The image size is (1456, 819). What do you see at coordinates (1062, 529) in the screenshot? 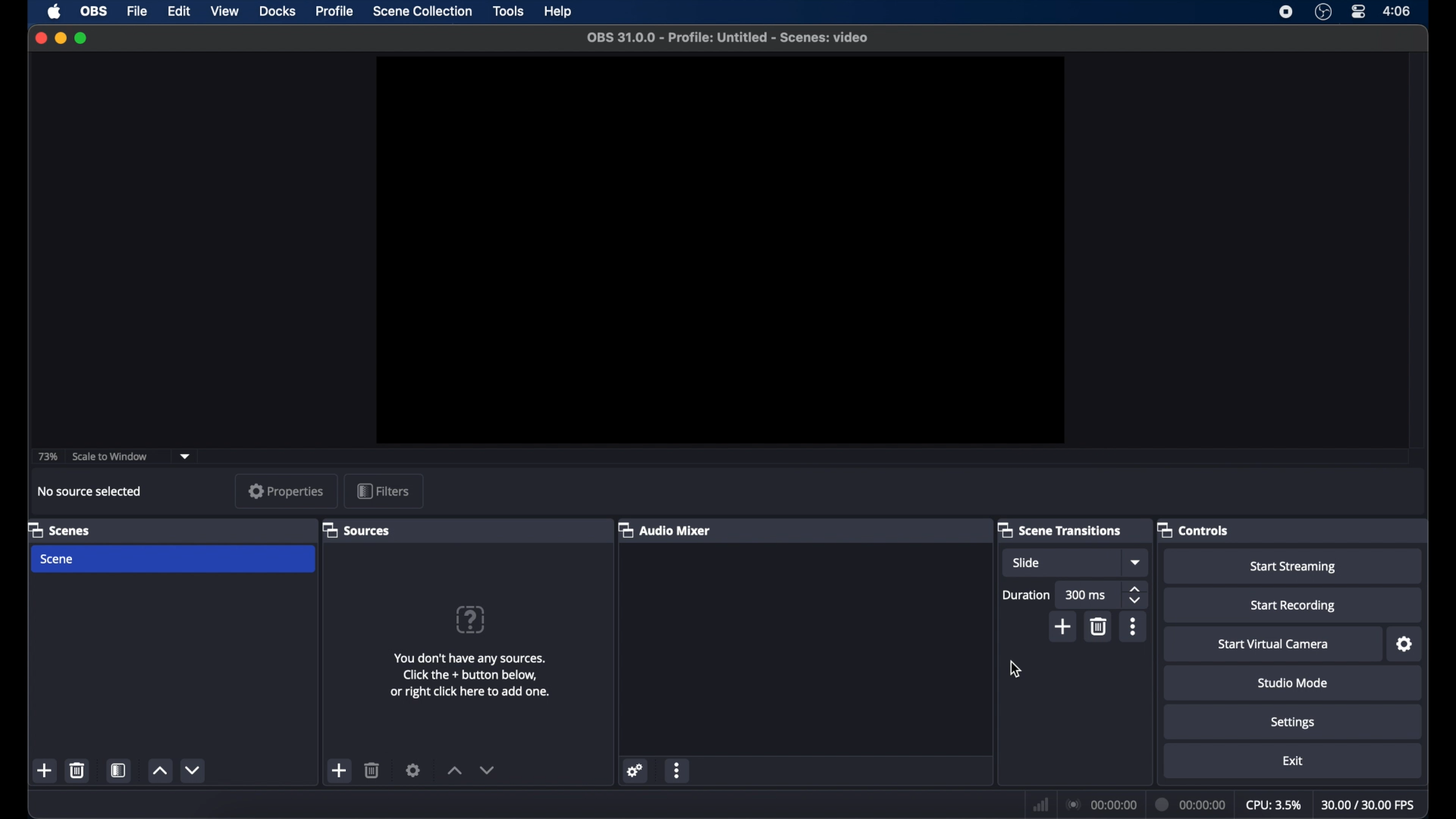
I see `scene transitions` at bounding box center [1062, 529].